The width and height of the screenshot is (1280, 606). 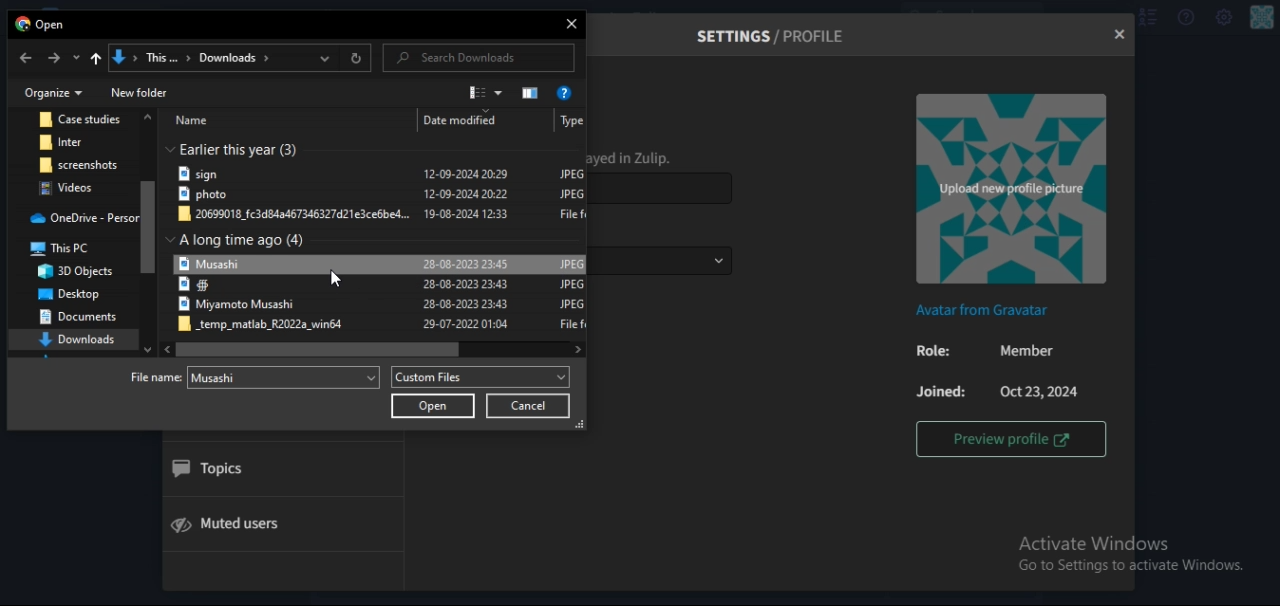 What do you see at coordinates (239, 87) in the screenshot?
I see `dropdown` at bounding box center [239, 87].